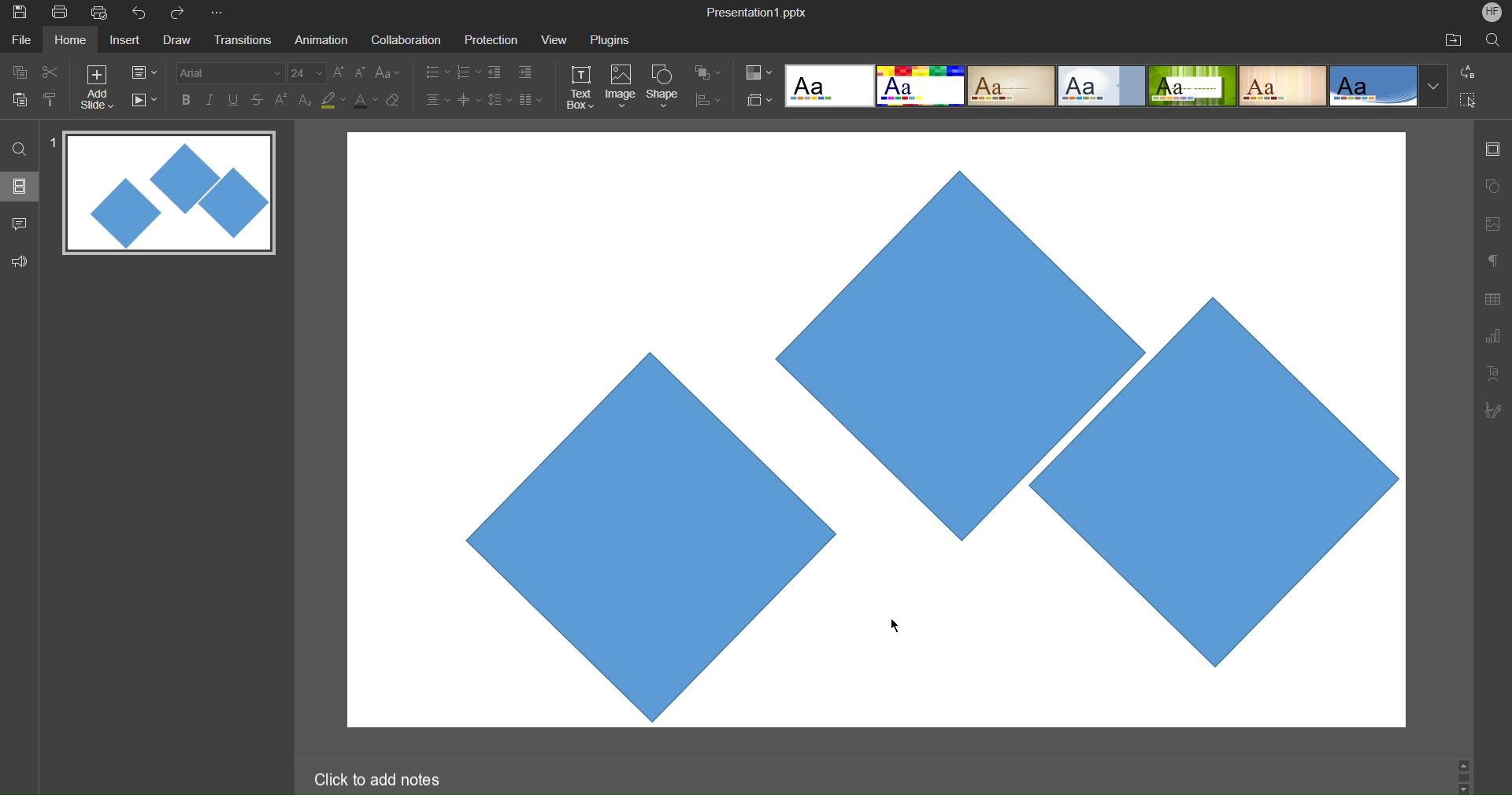  I want to click on search, so click(20, 148).